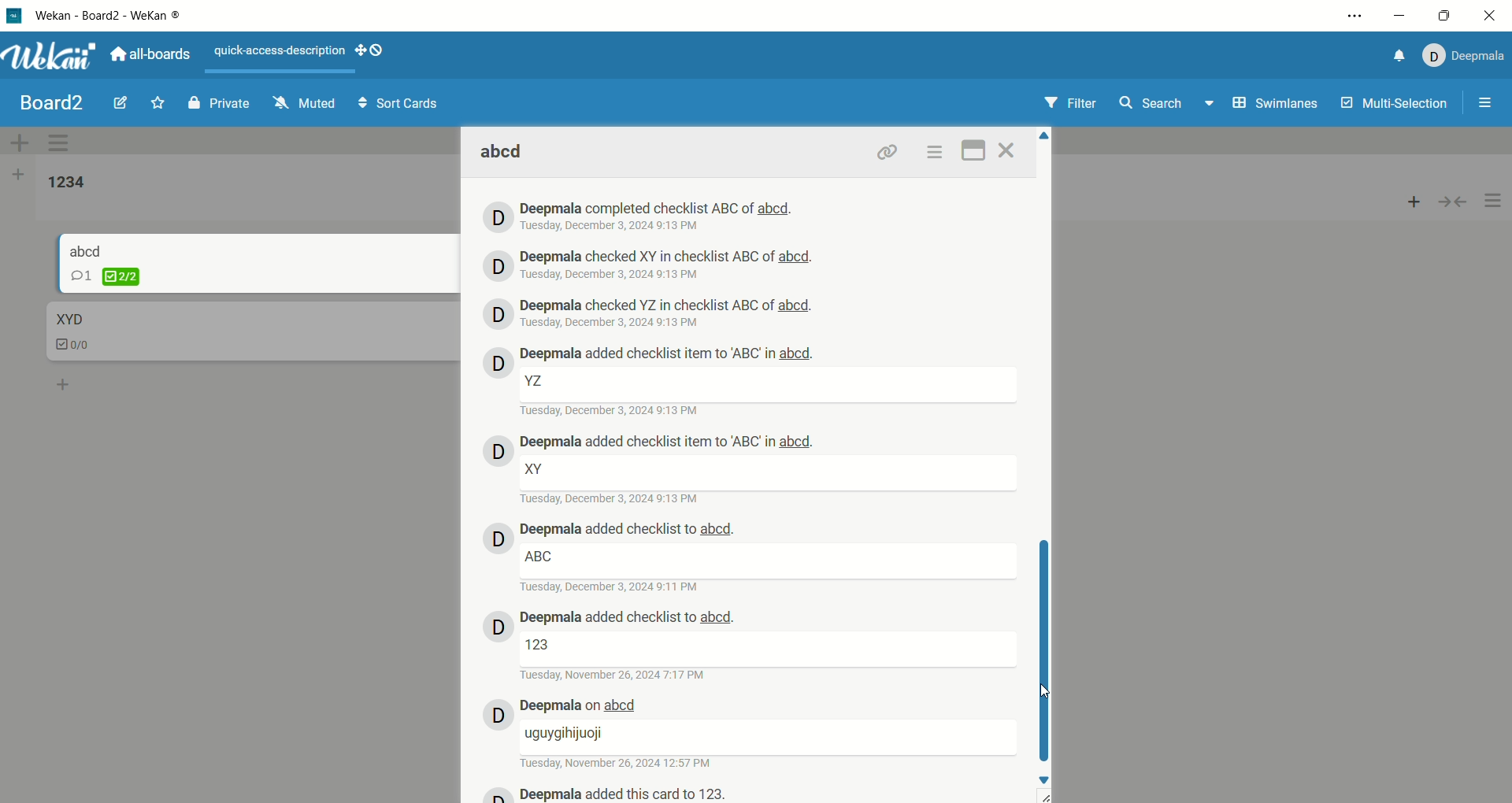 This screenshot has width=1512, height=803. I want to click on text, so click(535, 468).